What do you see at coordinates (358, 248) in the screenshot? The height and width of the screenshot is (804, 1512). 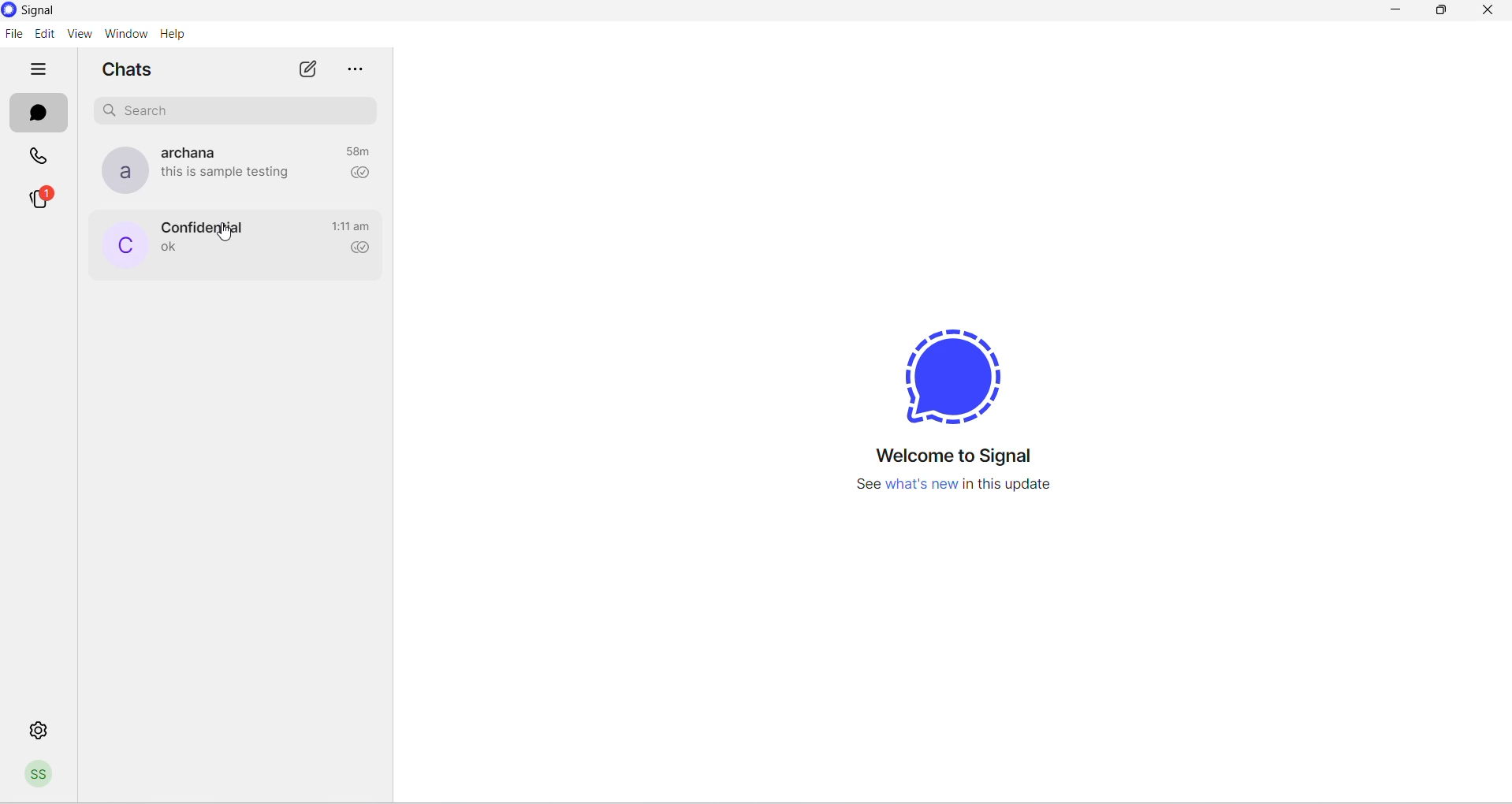 I see `read recipient` at bounding box center [358, 248].